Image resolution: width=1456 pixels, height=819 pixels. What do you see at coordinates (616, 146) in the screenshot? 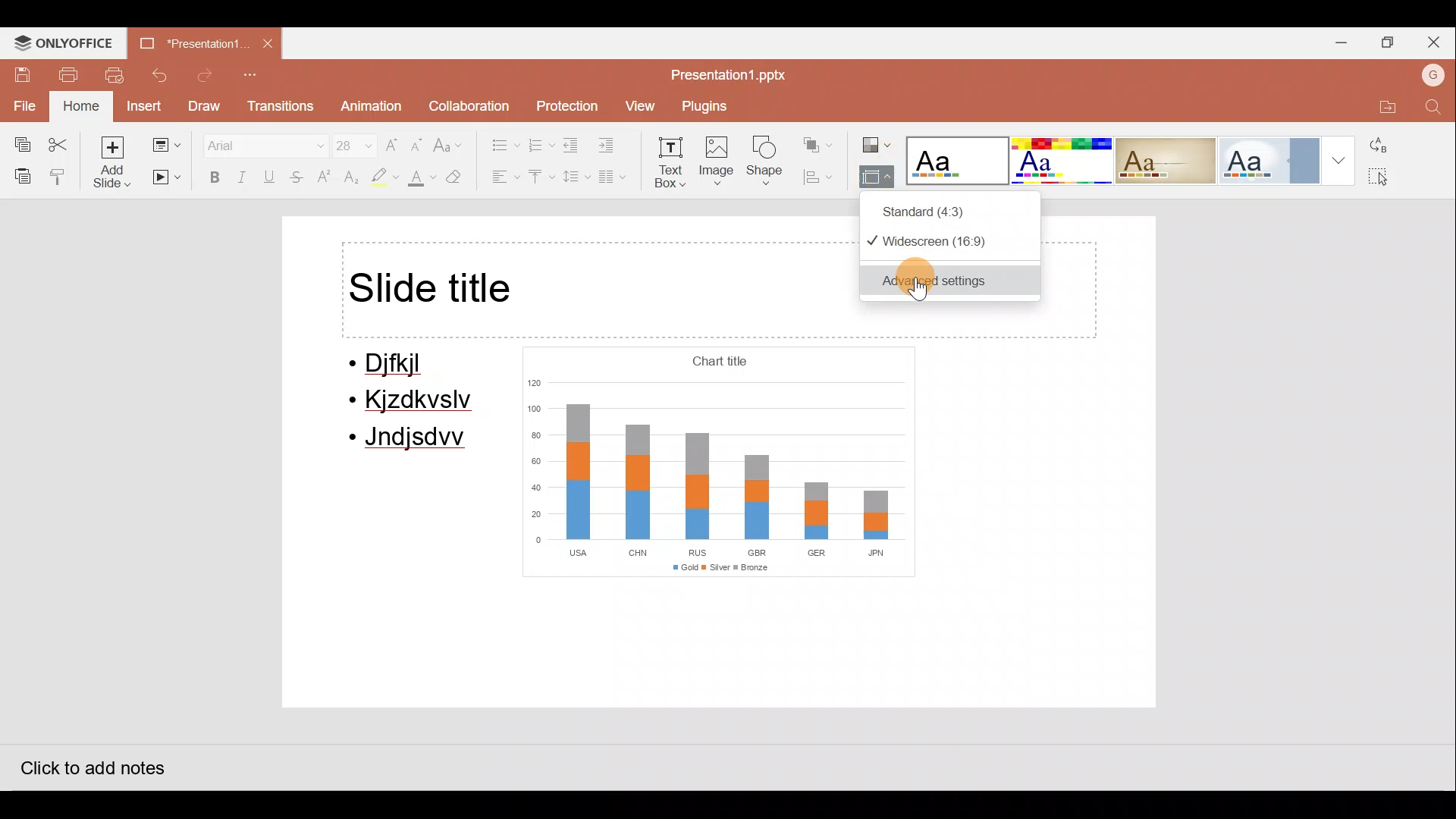
I see `Increase indent` at bounding box center [616, 146].